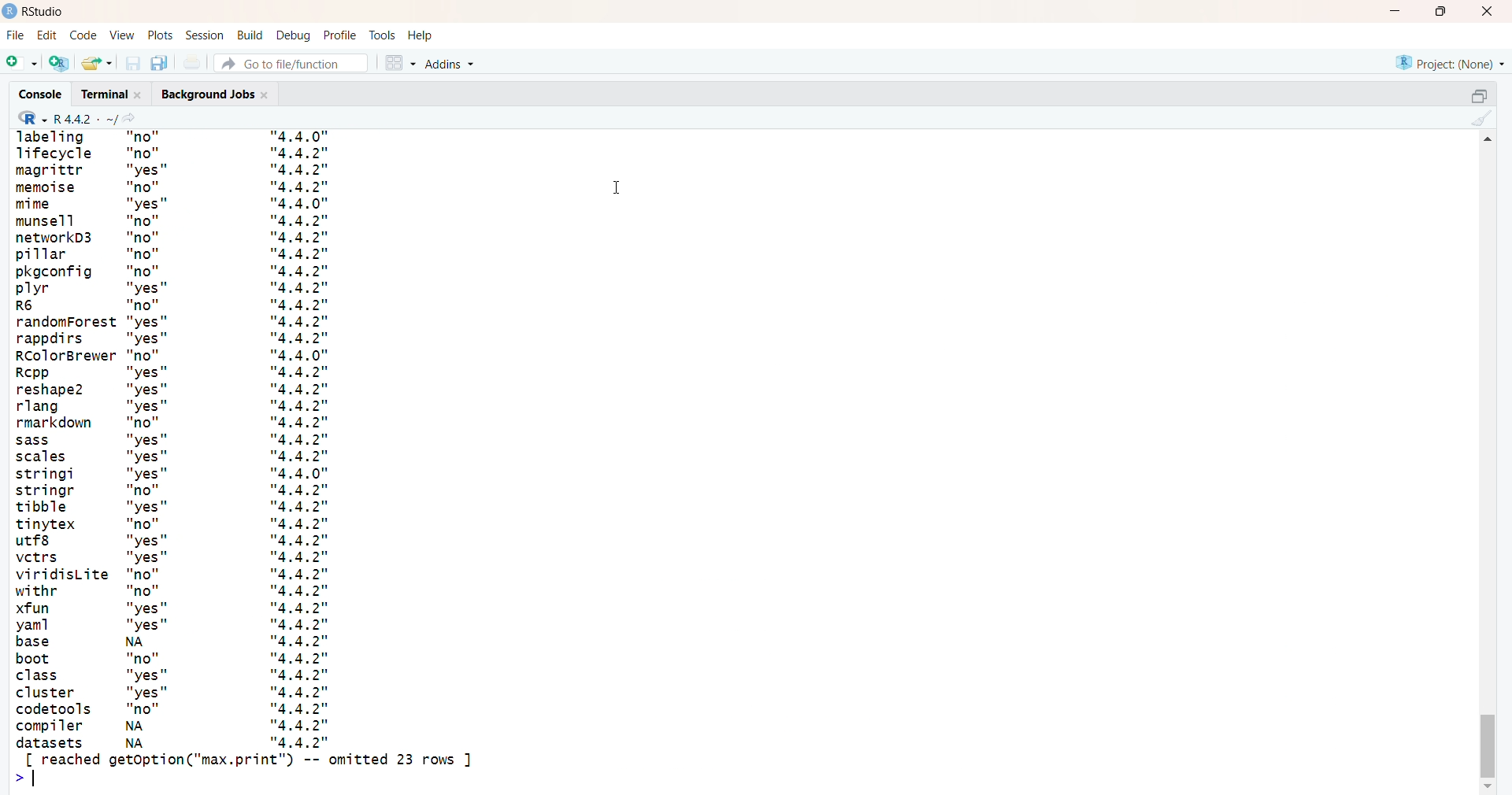 The image size is (1512, 795). Describe the element at coordinates (215, 94) in the screenshot. I see `background jobs` at that location.